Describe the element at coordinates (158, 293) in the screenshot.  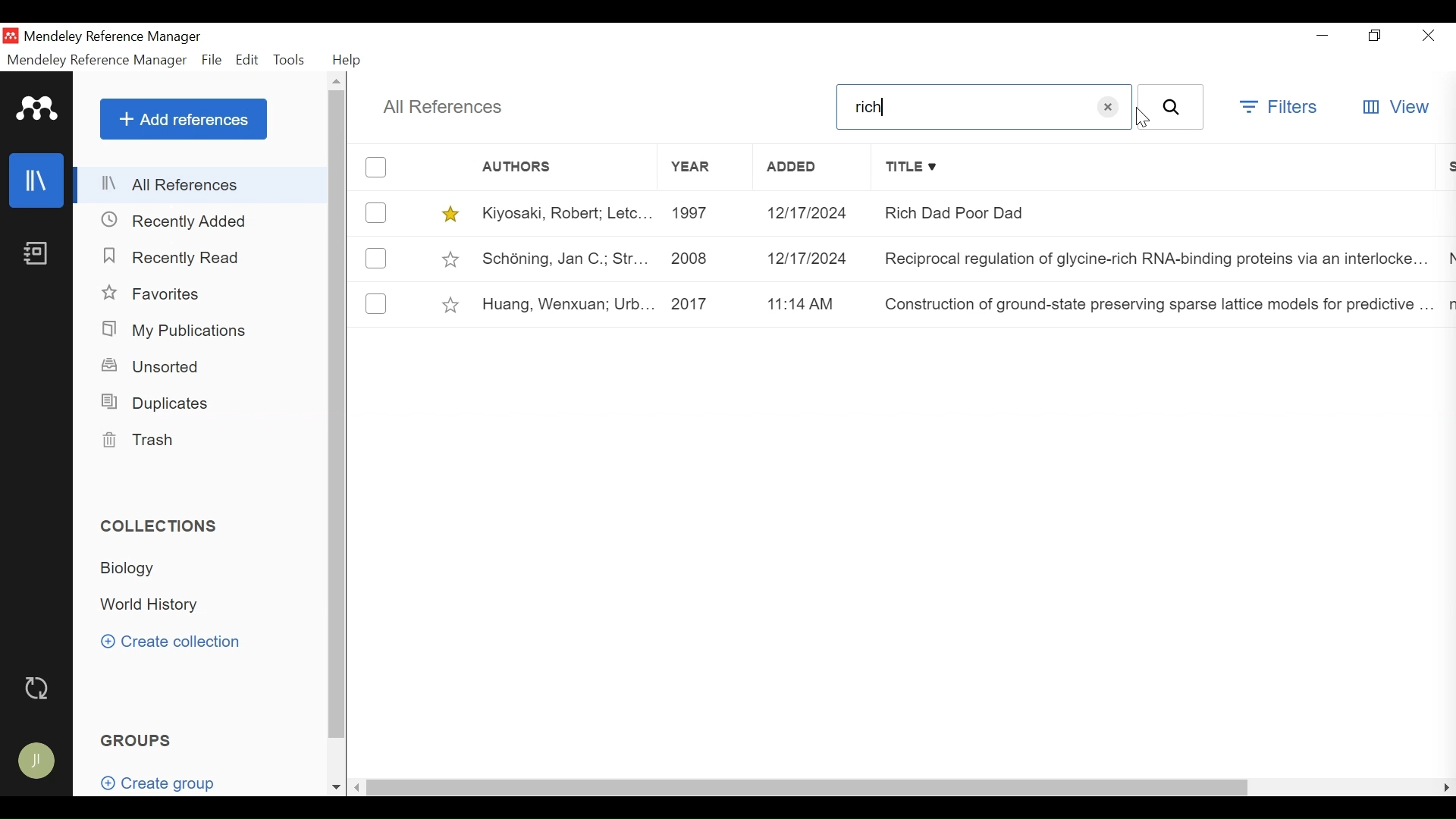
I see `Favorites` at that location.